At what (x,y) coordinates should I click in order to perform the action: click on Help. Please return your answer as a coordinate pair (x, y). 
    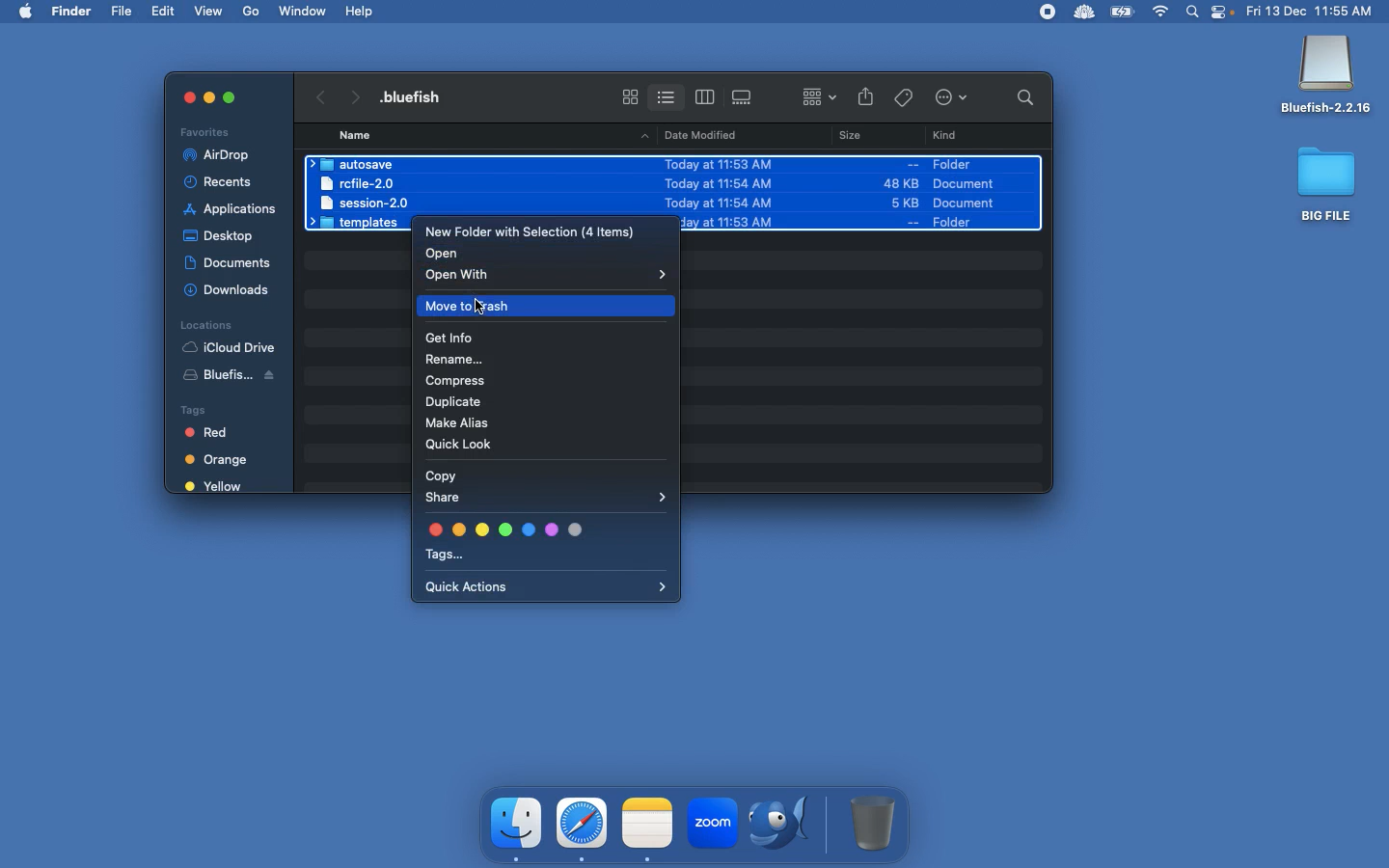
    Looking at the image, I should click on (361, 11).